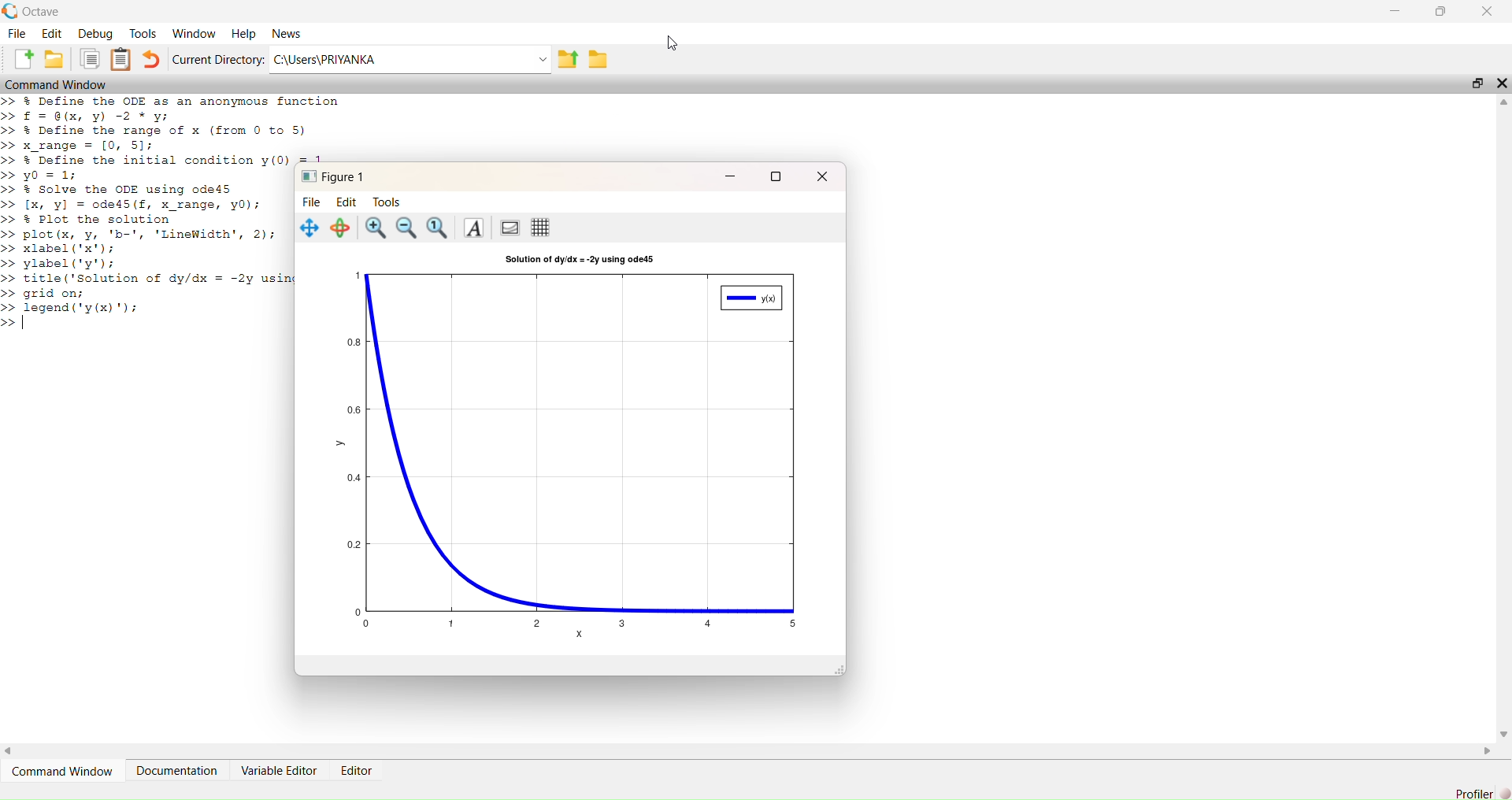  I want to click on Rotate, so click(339, 228).